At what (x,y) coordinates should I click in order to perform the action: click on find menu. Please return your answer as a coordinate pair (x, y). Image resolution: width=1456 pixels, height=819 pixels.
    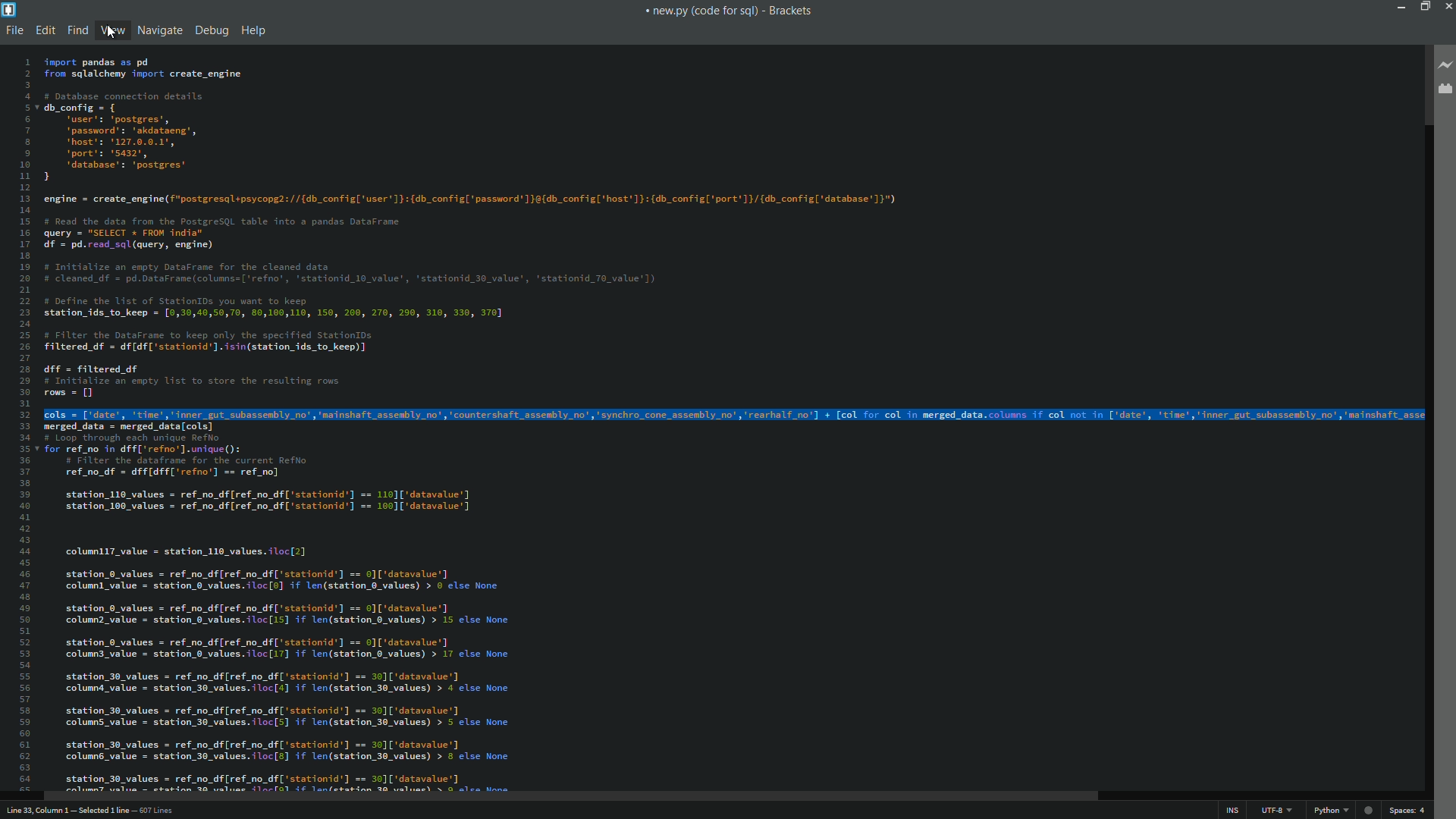
    Looking at the image, I should click on (79, 30).